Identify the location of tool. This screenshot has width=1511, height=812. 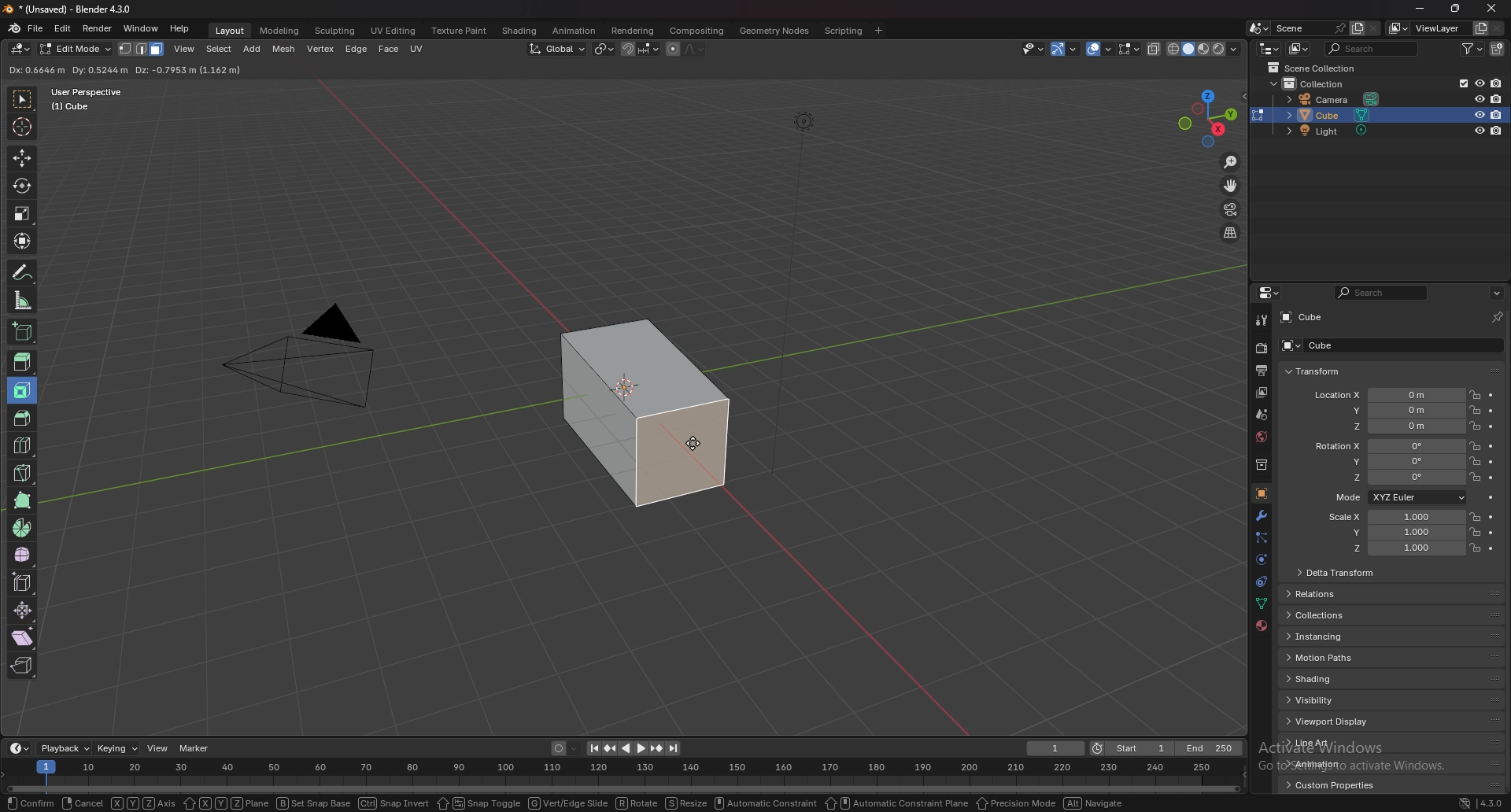
(1261, 319).